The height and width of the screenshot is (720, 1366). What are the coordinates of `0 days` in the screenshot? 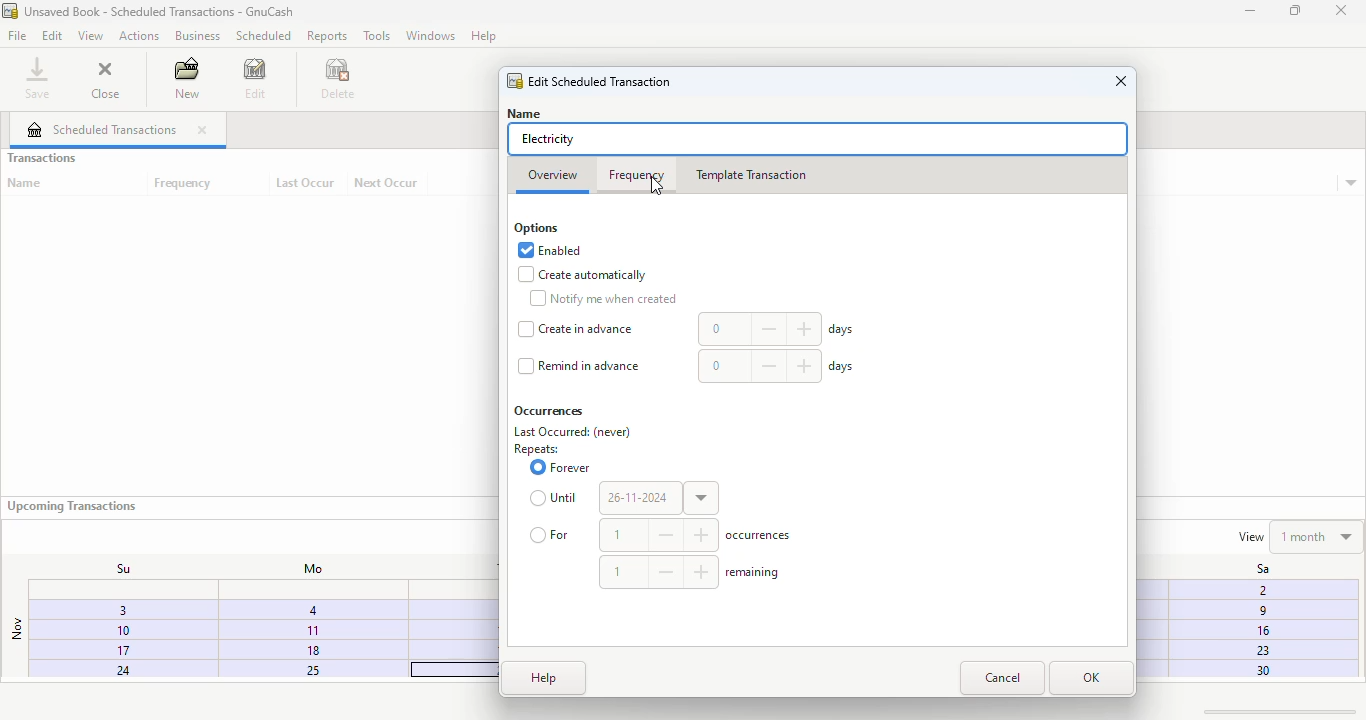 It's located at (778, 330).